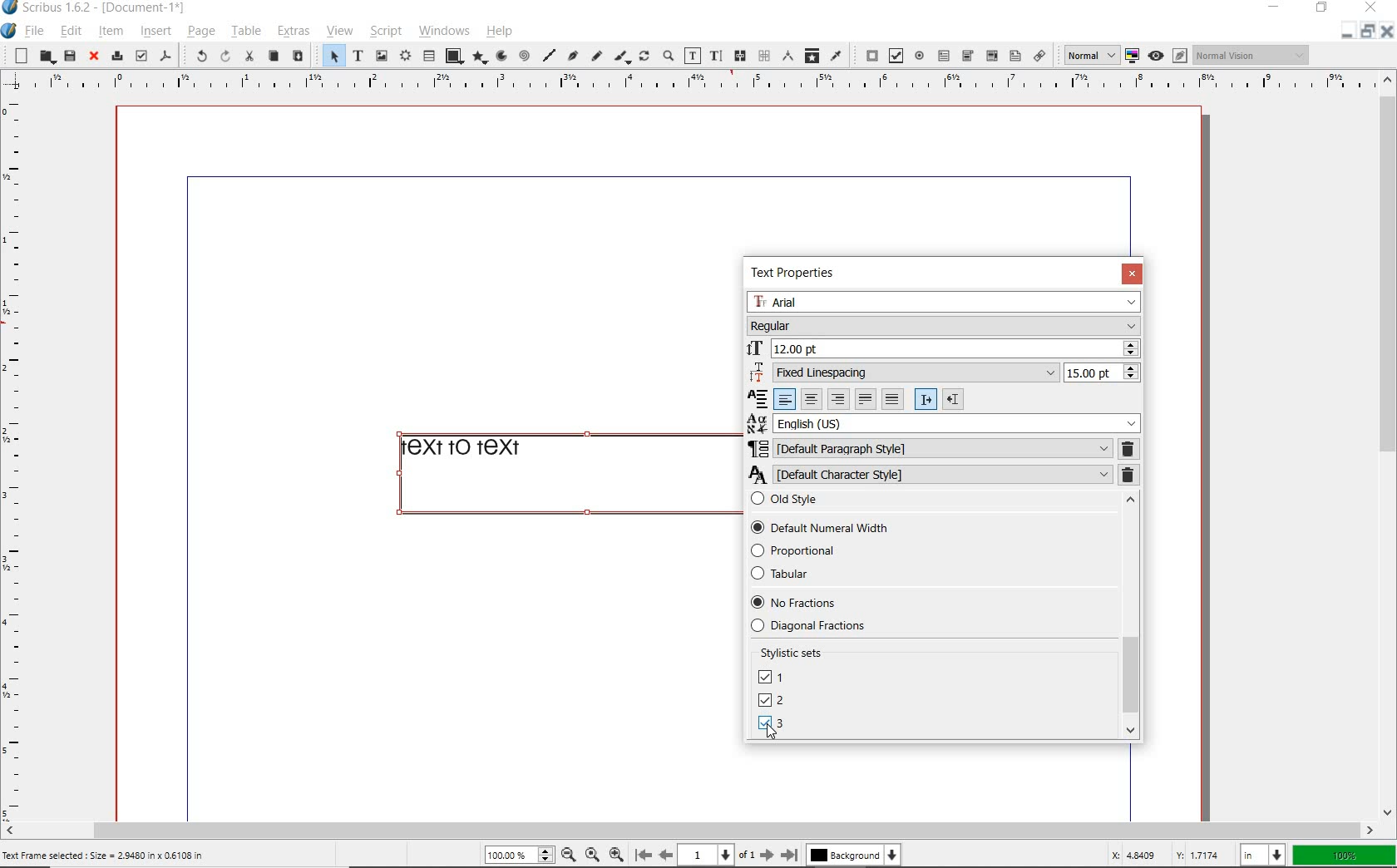 This screenshot has height=868, width=1397. What do you see at coordinates (1366, 32) in the screenshot?
I see `Minimize` at bounding box center [1366, 32].